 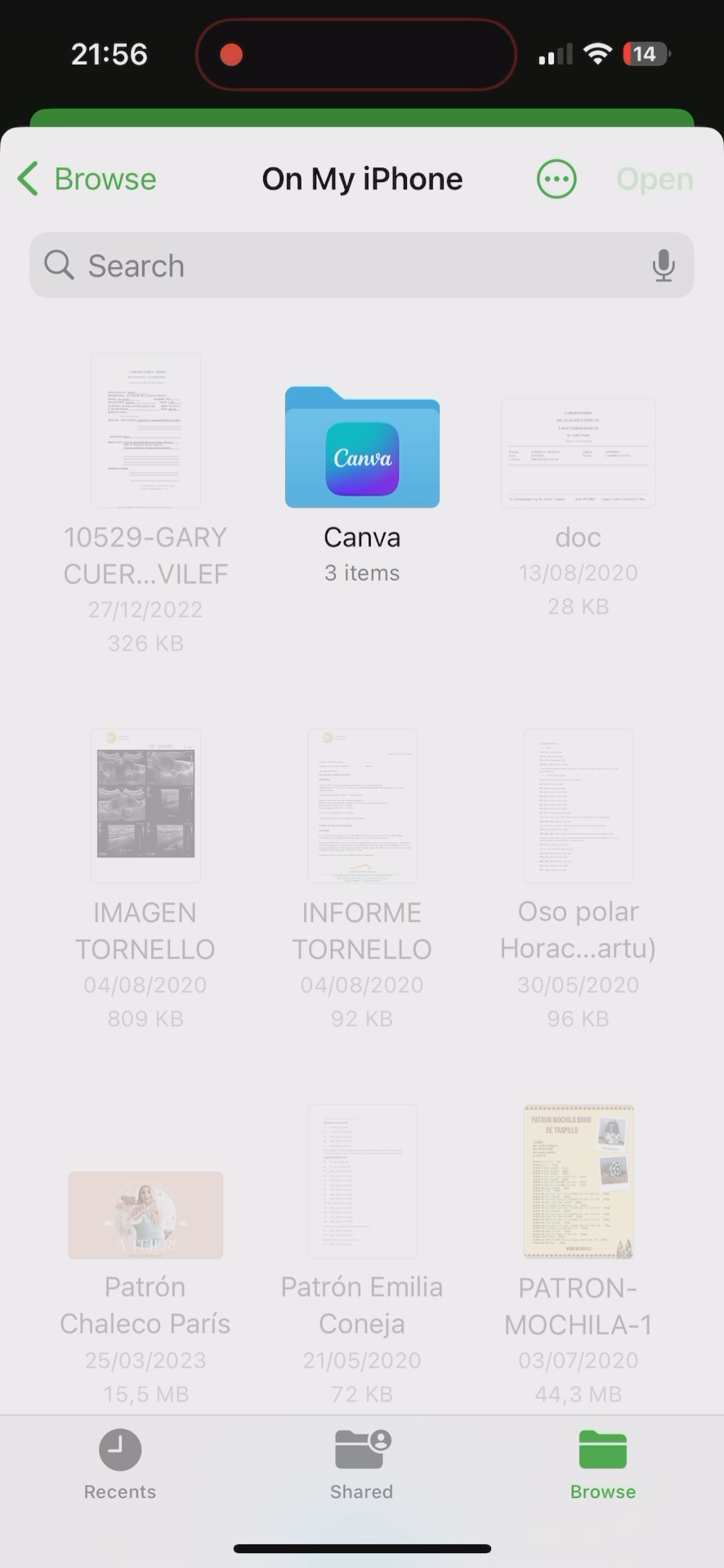 What do you see at coordinates (656, 177) in the screenshot?
I see `open` at bounding box center [656, 177].